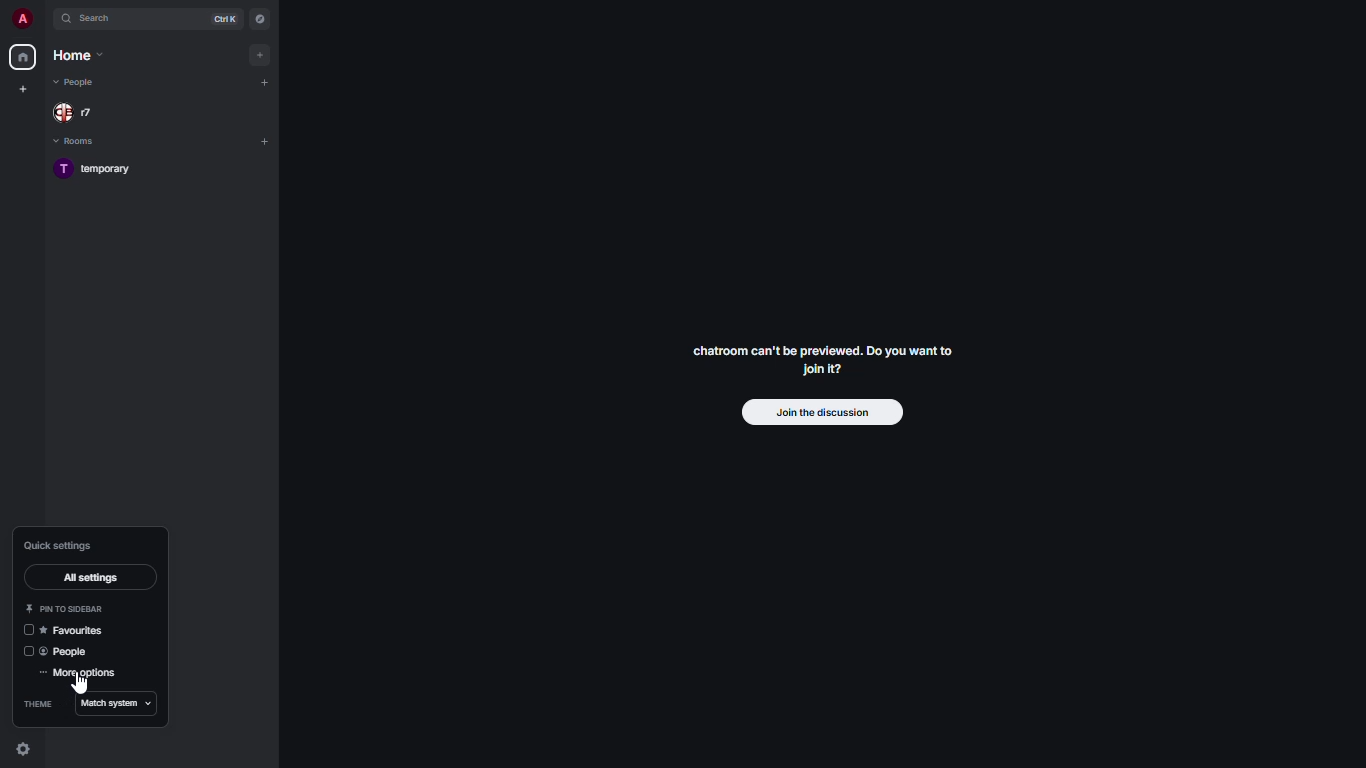 The height and width of the screenshot is (768, 1366). Describe the element at coordinates (75, 631) in the screenshot. I see `favorites` at that location.